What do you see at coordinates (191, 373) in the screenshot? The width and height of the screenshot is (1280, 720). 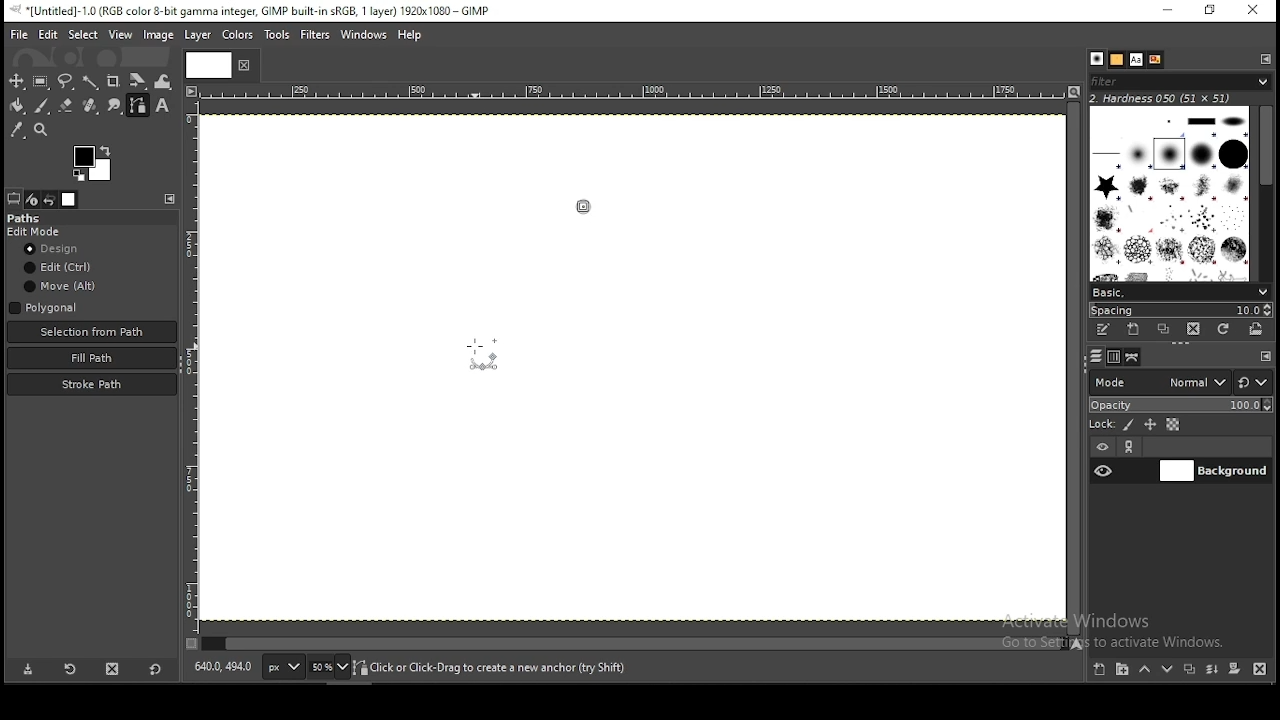 I see `vertical scale` at bounding box center [191, 373].